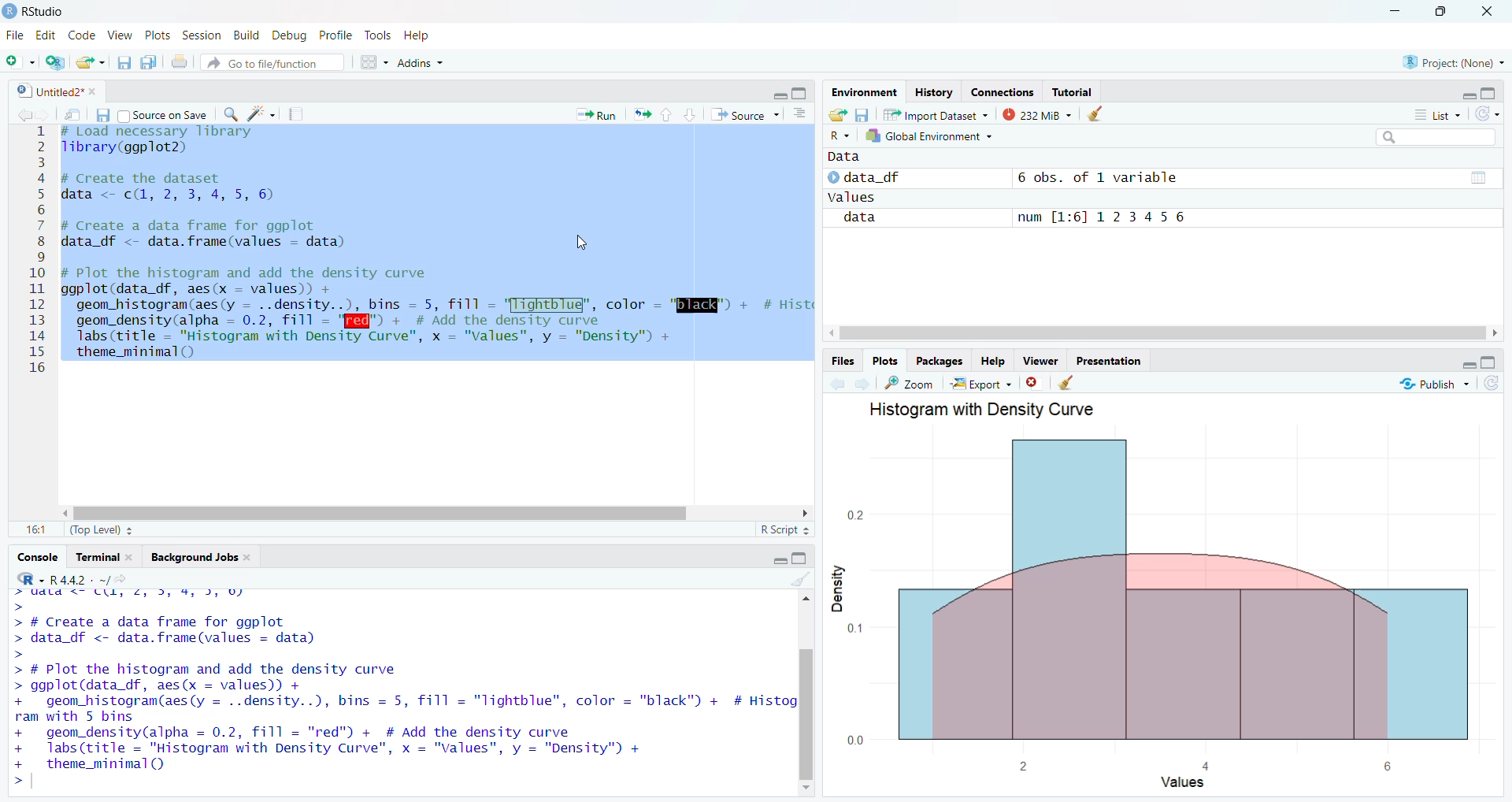 This screenshot has height=802, width=1512. Describe the element at coordinates (180, 64) in the screenshot. I see `print the current file` at that location.